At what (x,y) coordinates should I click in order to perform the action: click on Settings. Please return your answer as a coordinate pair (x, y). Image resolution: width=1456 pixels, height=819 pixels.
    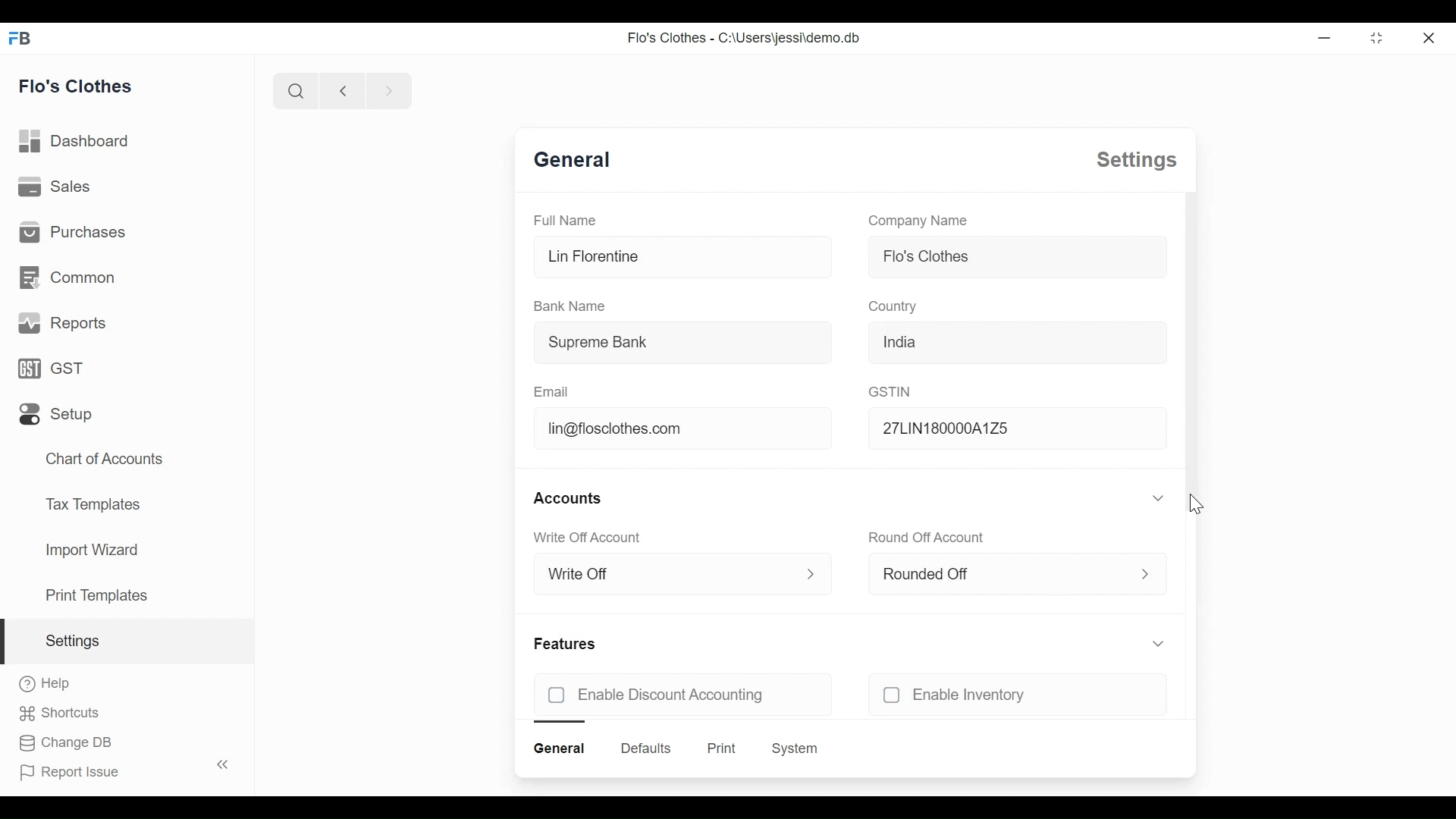
    Looking at the image, I should click on (124, 642).